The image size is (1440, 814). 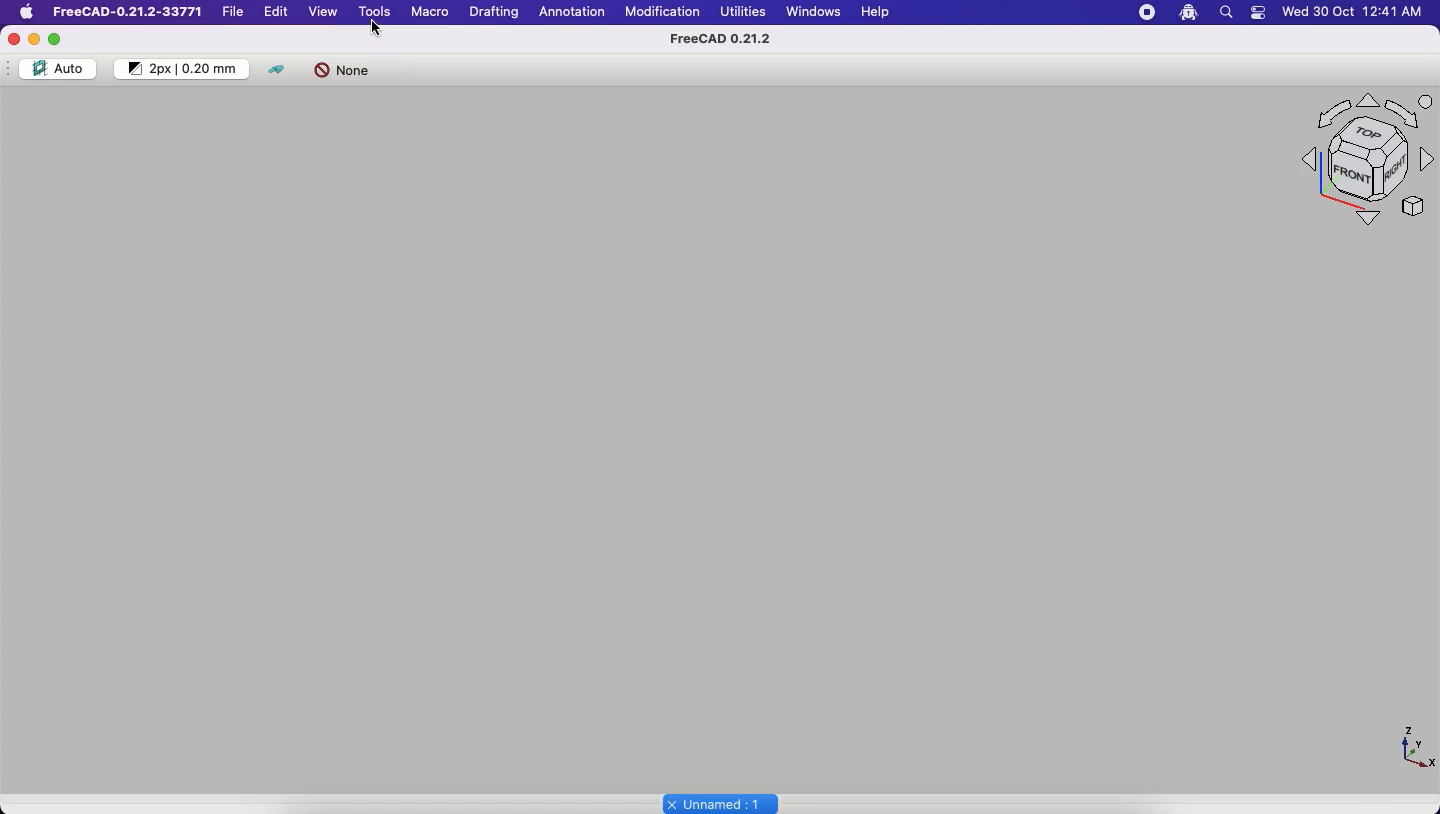 What do you see at coordinates (663, 12) in the screenshot?
I see `Modification` at bounding box center [663, 12].